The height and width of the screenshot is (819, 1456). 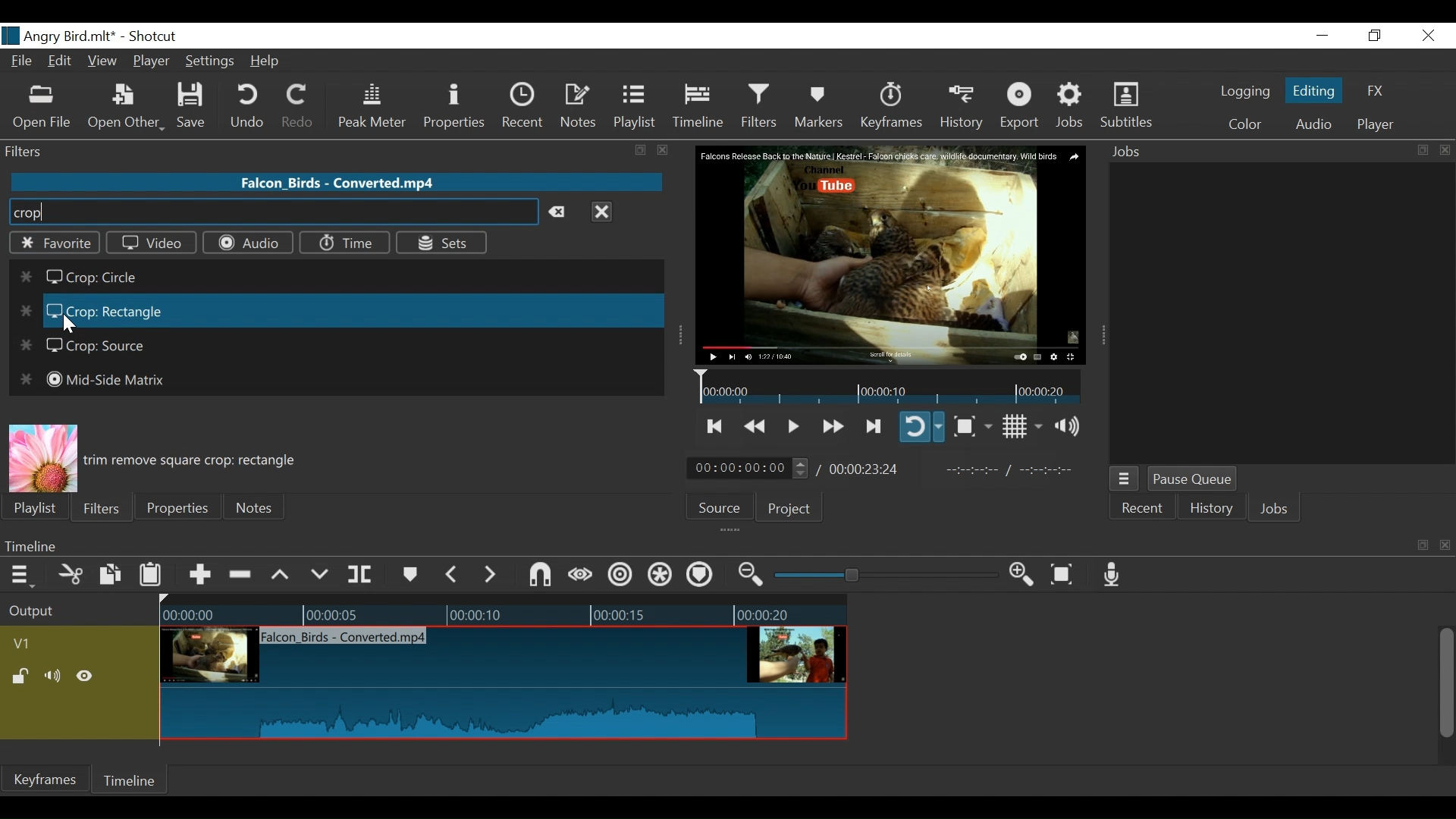 I want to click on Cursor, so click(x=67, y=323).